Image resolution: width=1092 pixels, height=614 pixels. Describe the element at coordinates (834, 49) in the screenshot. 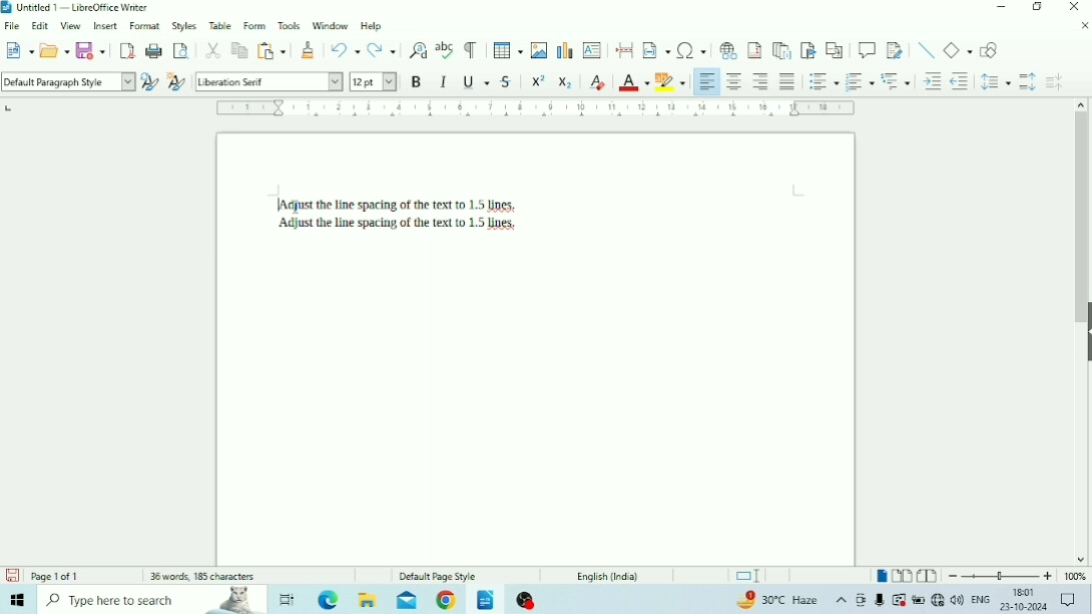

I see `Insert Cross-reference` at that location.